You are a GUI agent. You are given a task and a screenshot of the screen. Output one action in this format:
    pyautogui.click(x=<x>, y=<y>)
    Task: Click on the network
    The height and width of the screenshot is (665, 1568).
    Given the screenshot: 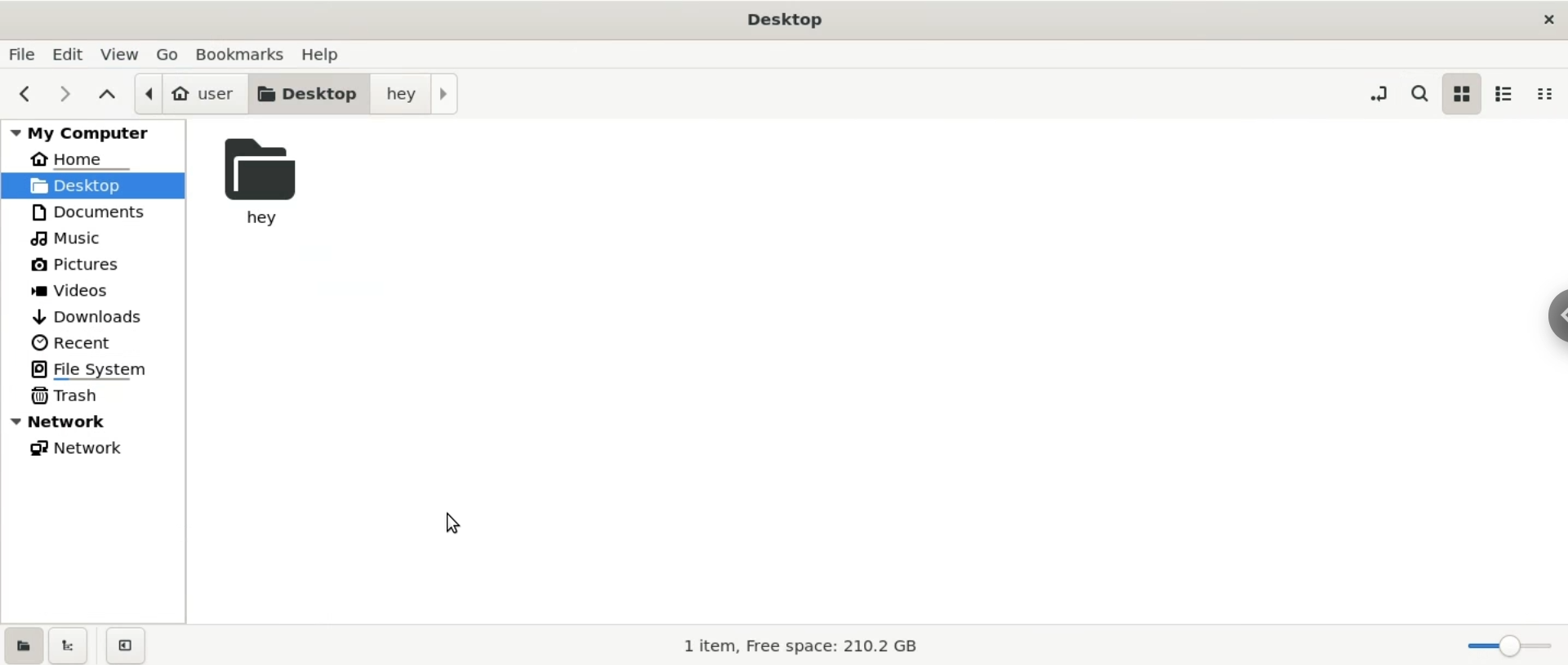 What is the action you would take?
    pyautogui.click(x=96, y=421)
    